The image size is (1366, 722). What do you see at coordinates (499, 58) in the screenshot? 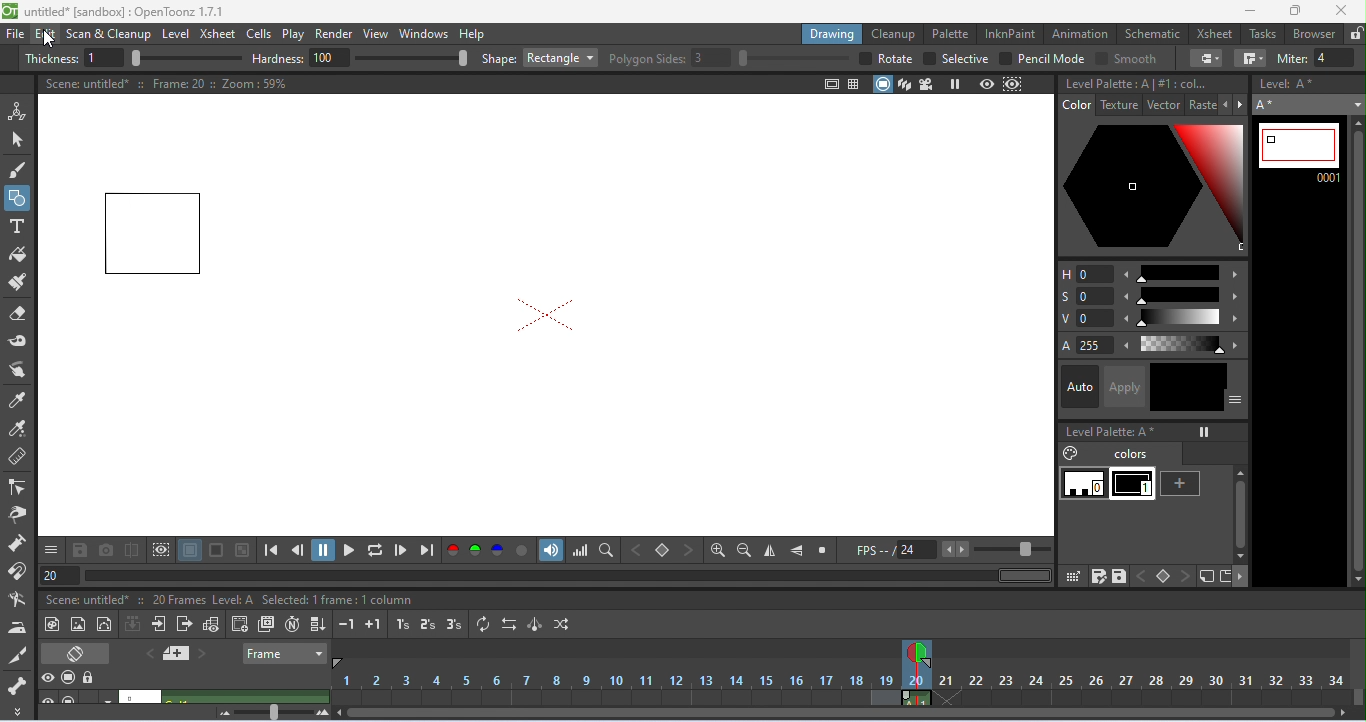
I see `shape` at bounding box center [499, 58].